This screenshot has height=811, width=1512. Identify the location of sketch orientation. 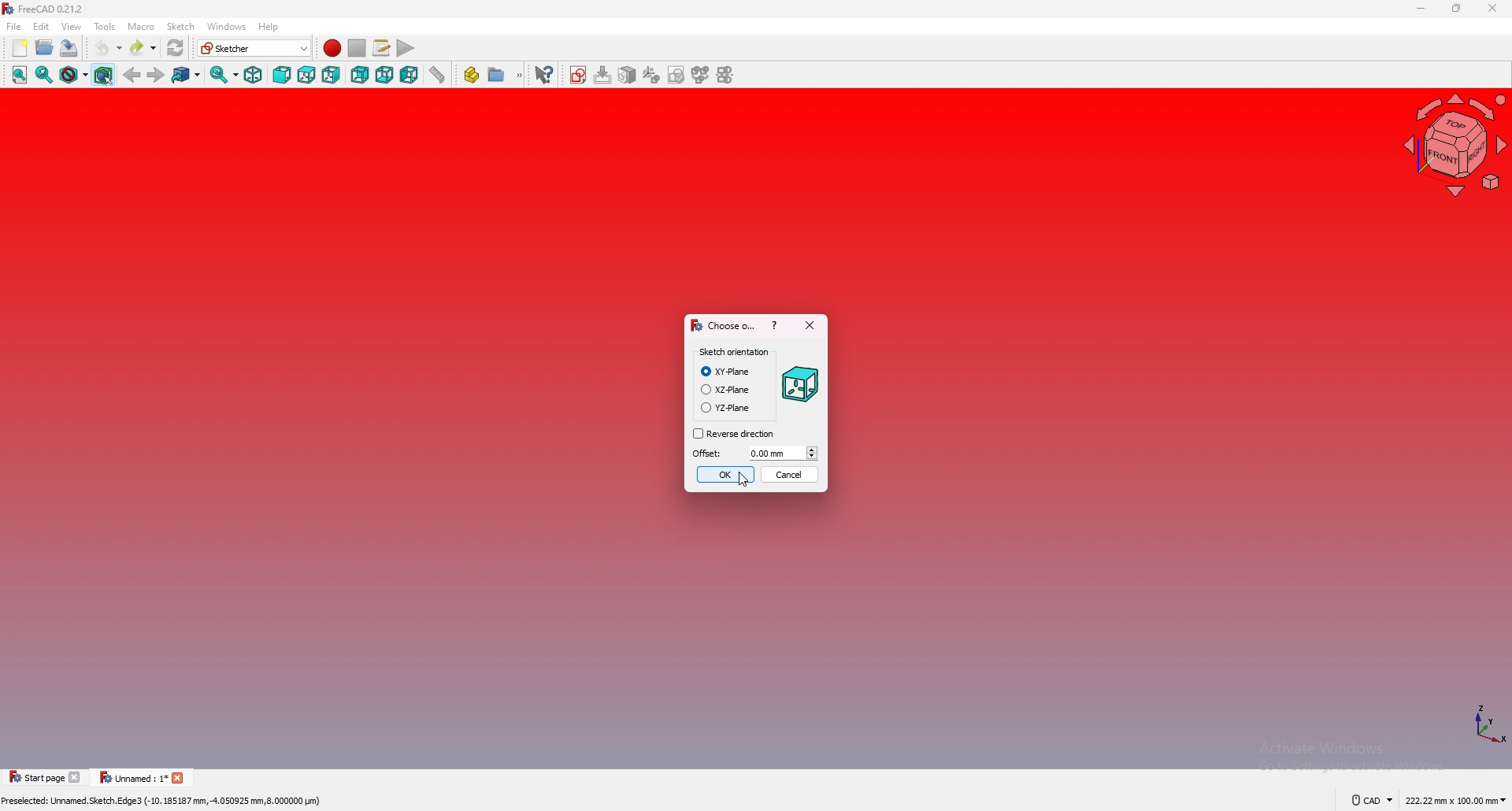
(733, 353).